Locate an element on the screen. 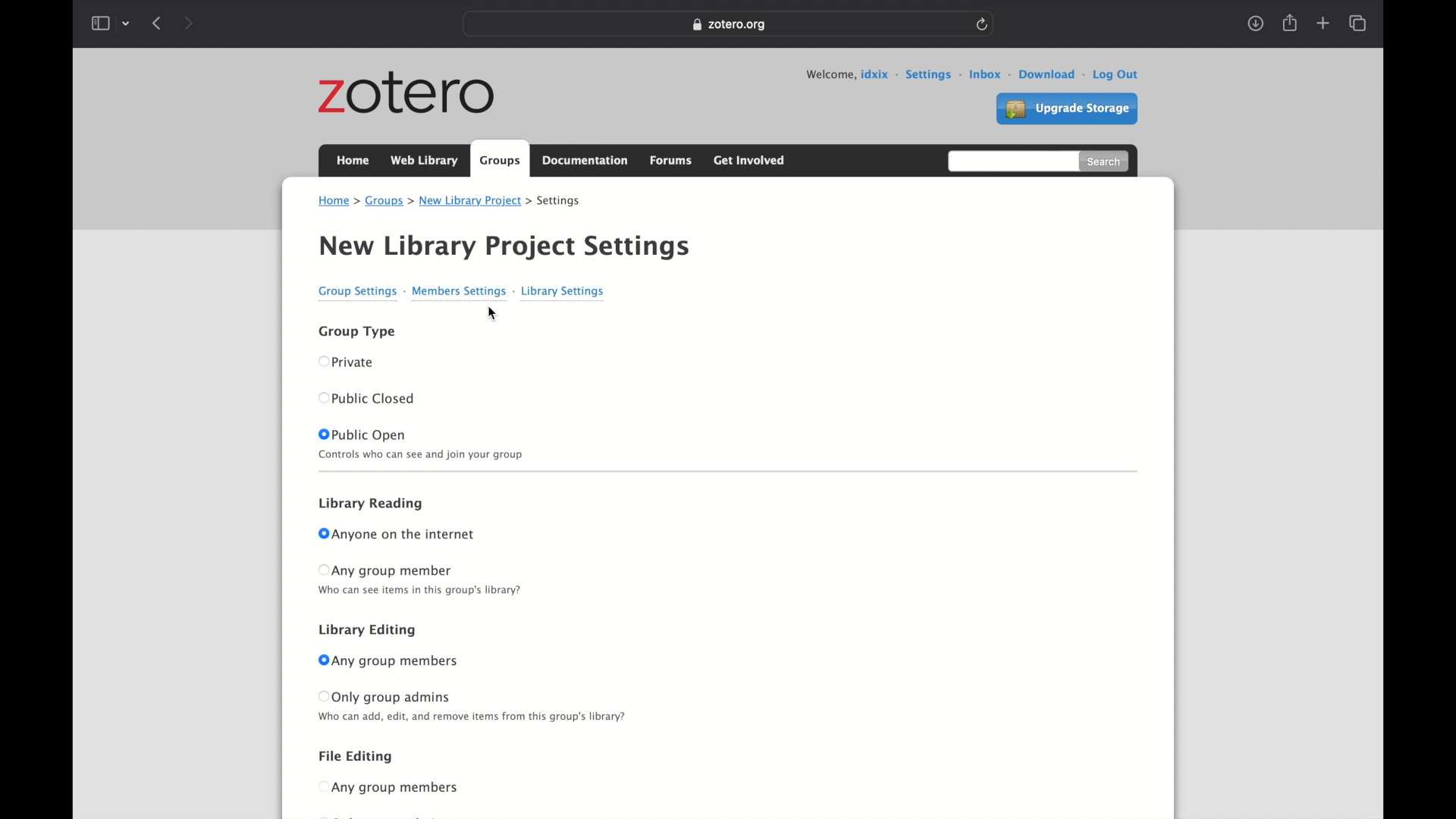 The height and width of the screenshot is (819, 1456). group type is located at coordinates (356, 331).